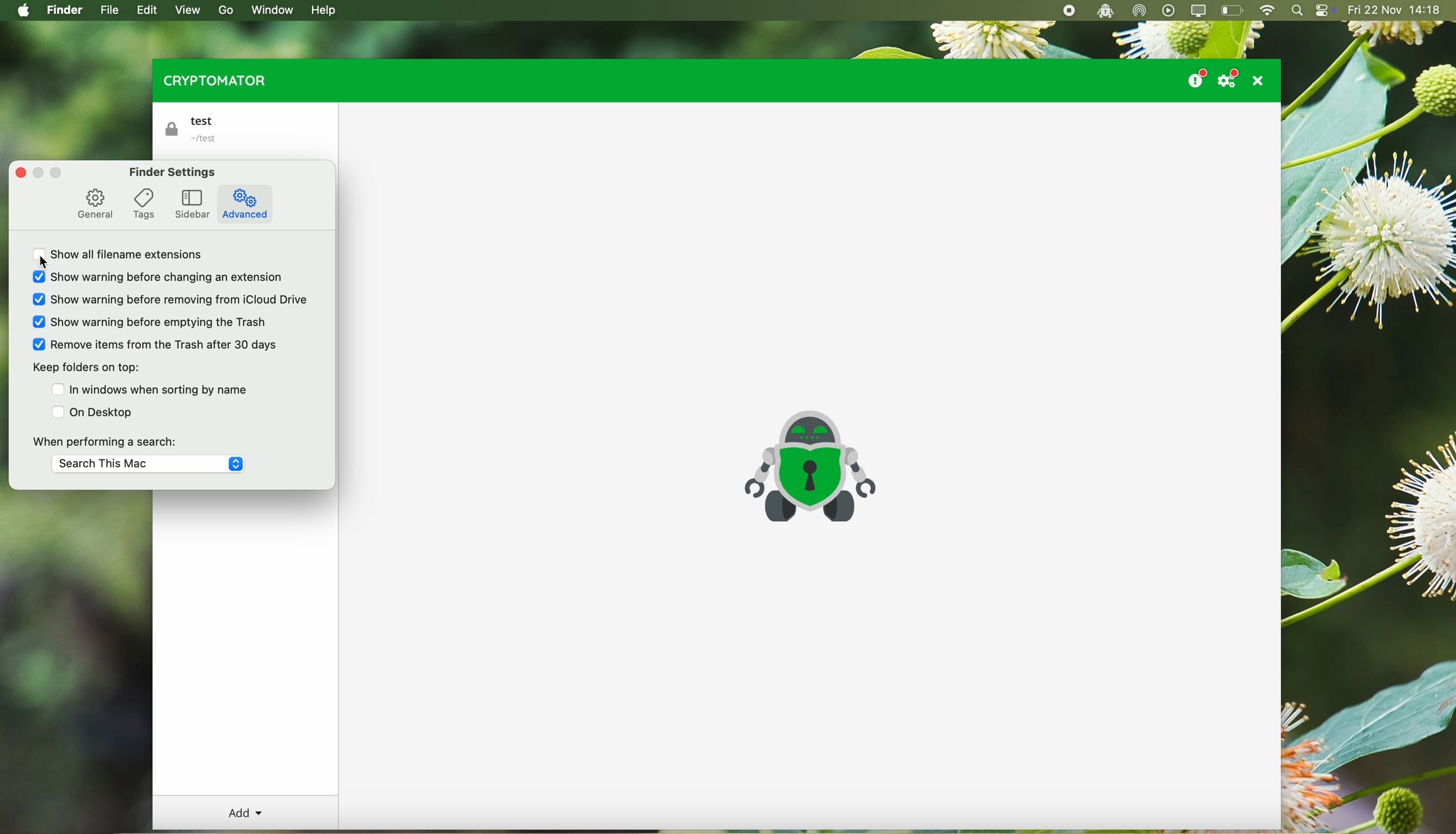  Describe the element at coordinates (18, 171) in the screenshot. I see `close pop-up` at that location.